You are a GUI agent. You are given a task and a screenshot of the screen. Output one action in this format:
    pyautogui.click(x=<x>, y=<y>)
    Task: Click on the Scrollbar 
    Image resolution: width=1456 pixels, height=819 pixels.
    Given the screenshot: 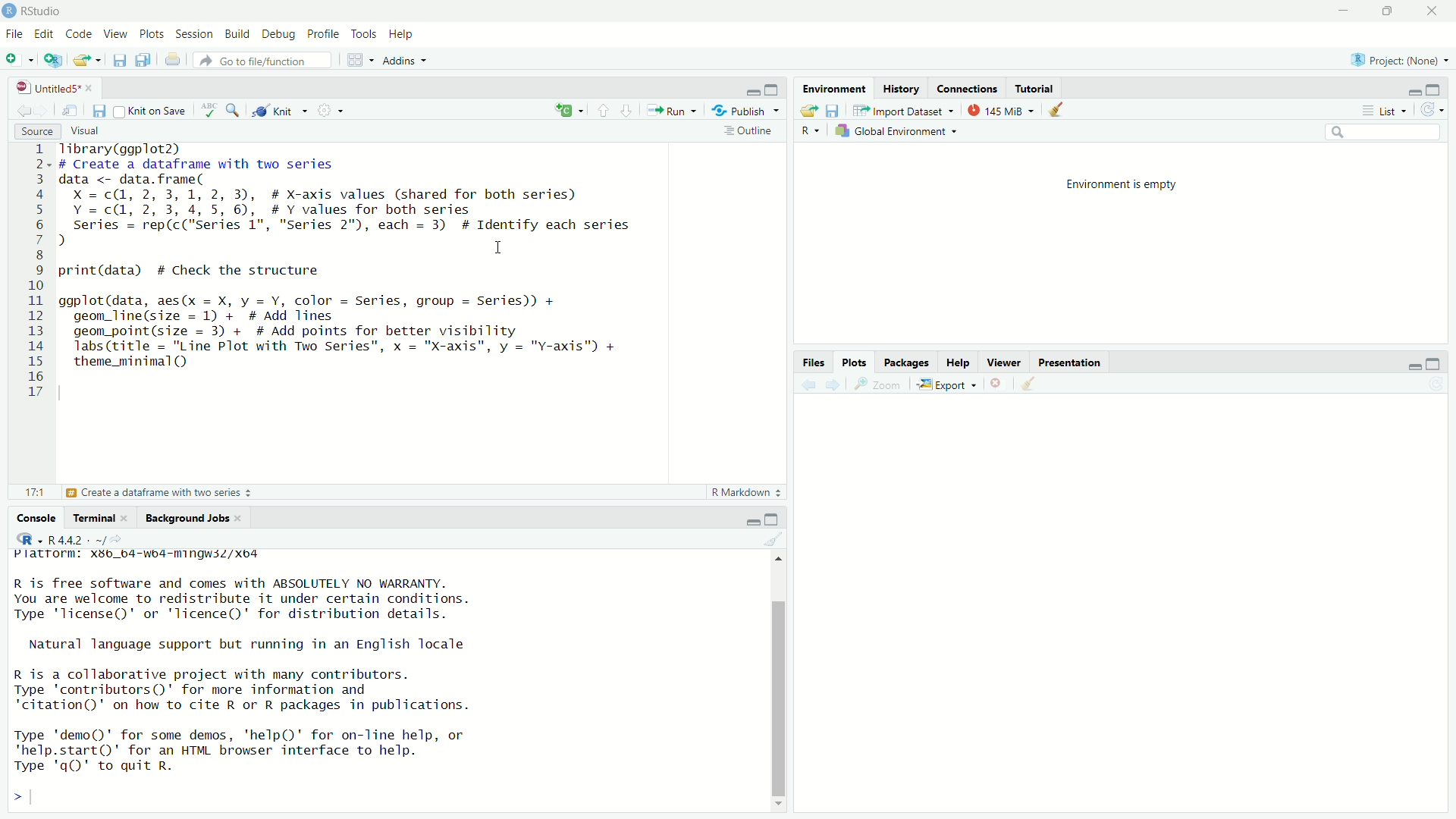 What is the action you would take?
    pyautogui.click(x=779, y=686)
    